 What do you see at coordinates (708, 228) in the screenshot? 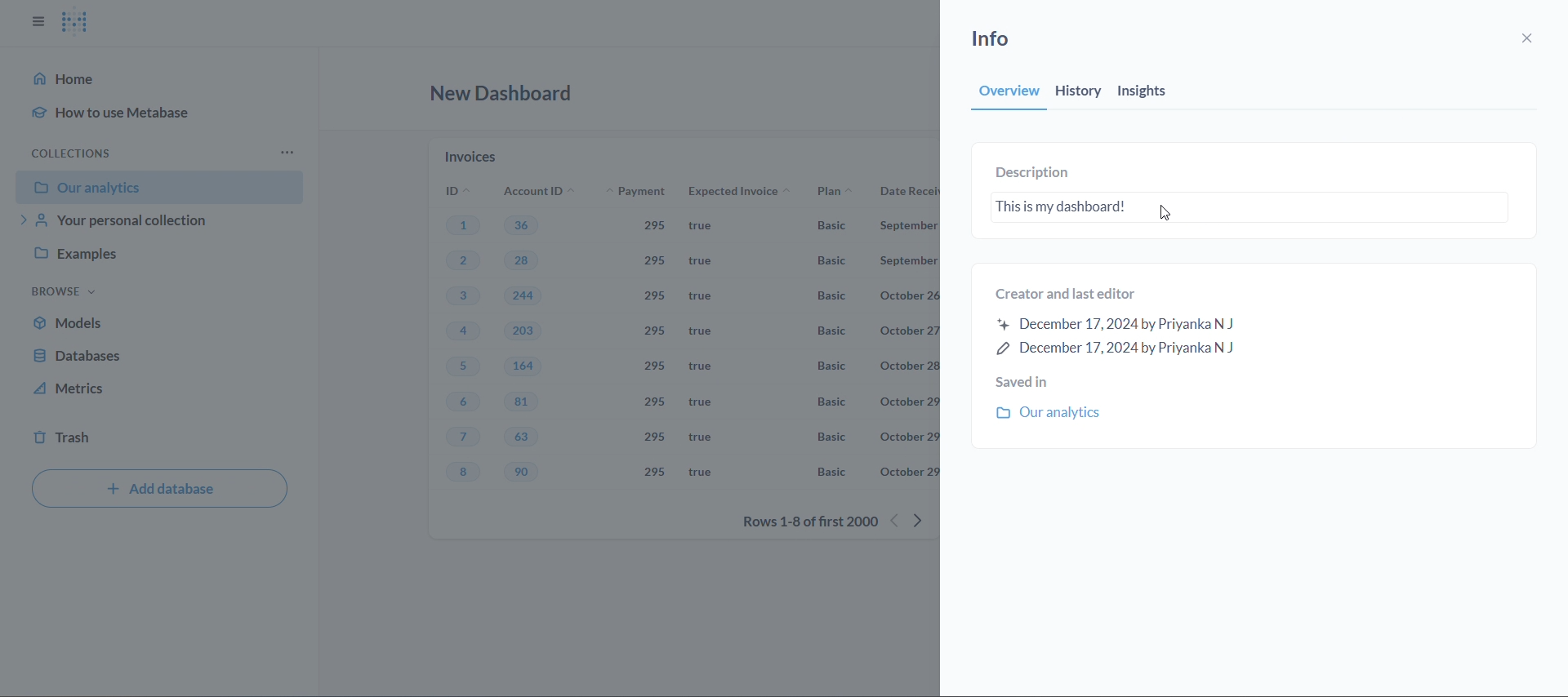
I see `true` at bounding box center [708, 228].